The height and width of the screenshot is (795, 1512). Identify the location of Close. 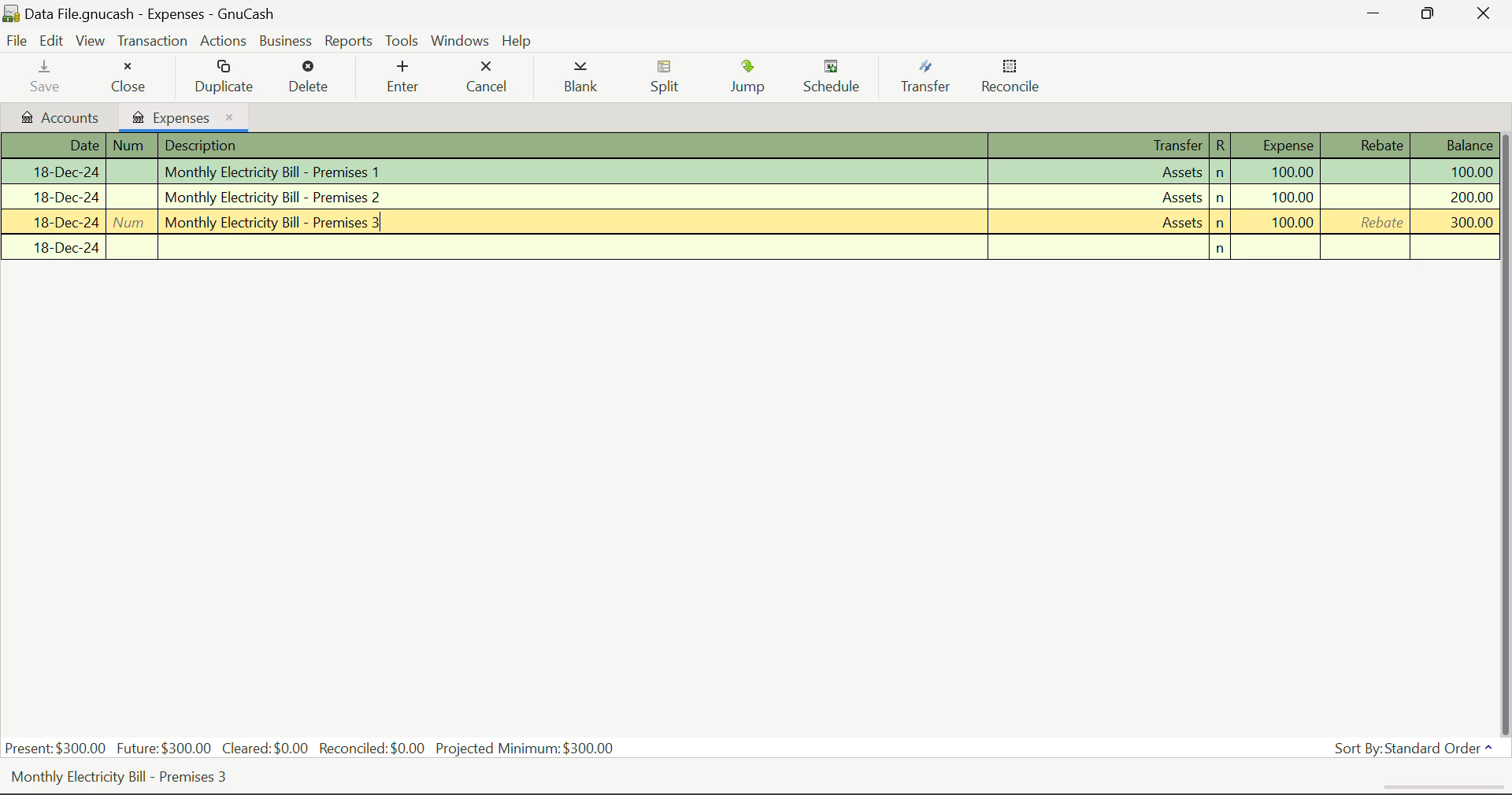
(128, 79).